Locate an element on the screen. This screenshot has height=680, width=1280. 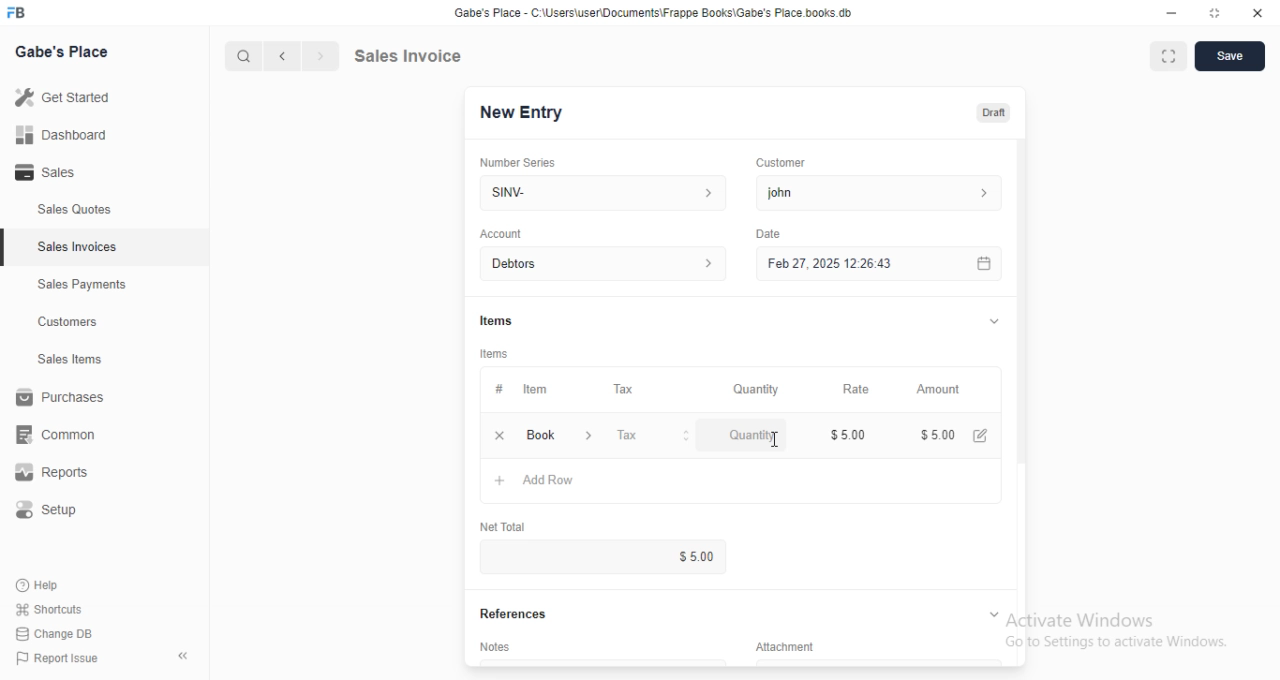
Sales Quotes is located at coordinates (74, 212).